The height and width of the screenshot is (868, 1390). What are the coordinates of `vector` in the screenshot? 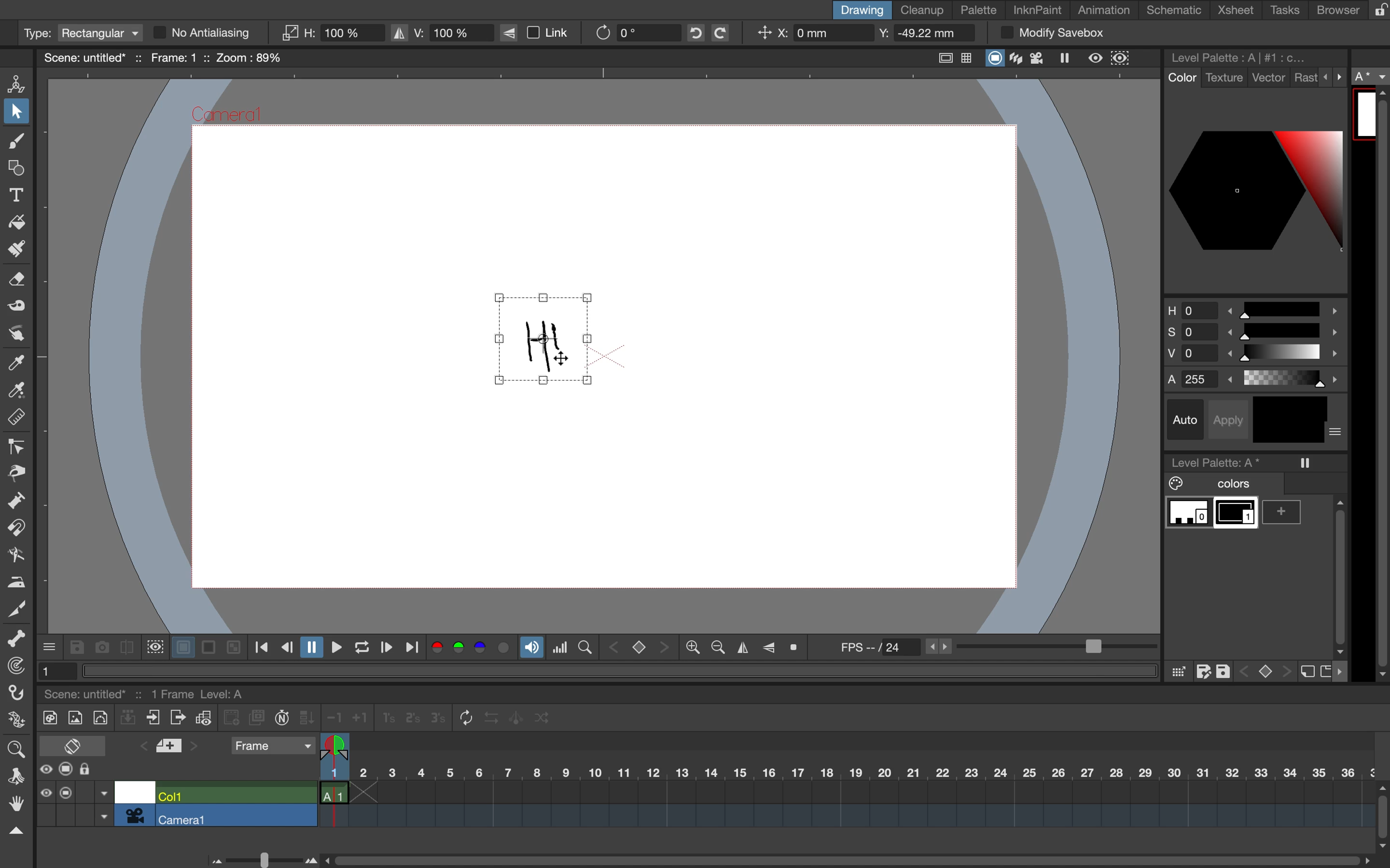 It's located at (1269, 79).